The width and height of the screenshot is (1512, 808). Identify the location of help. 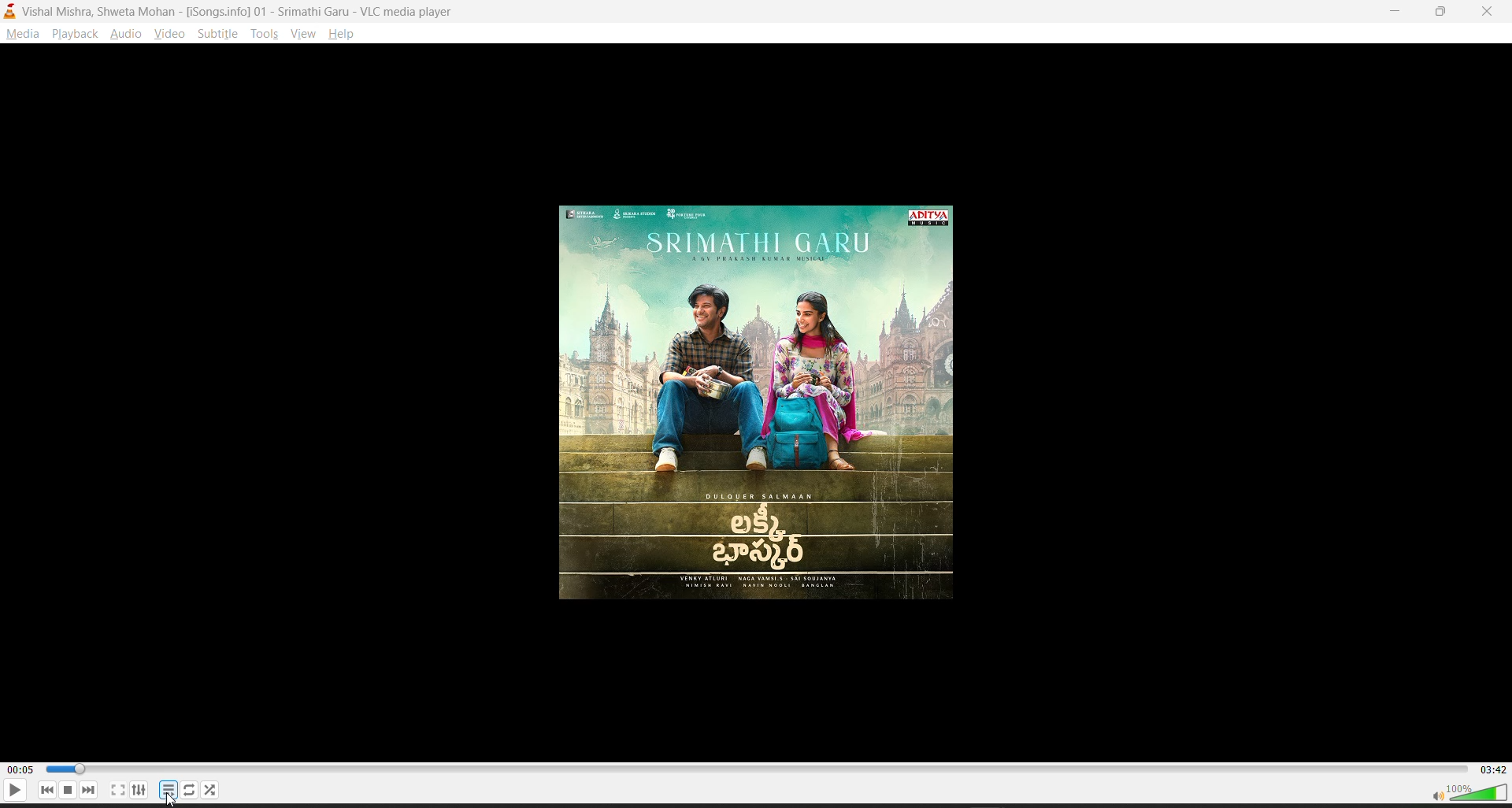
(341, 32).